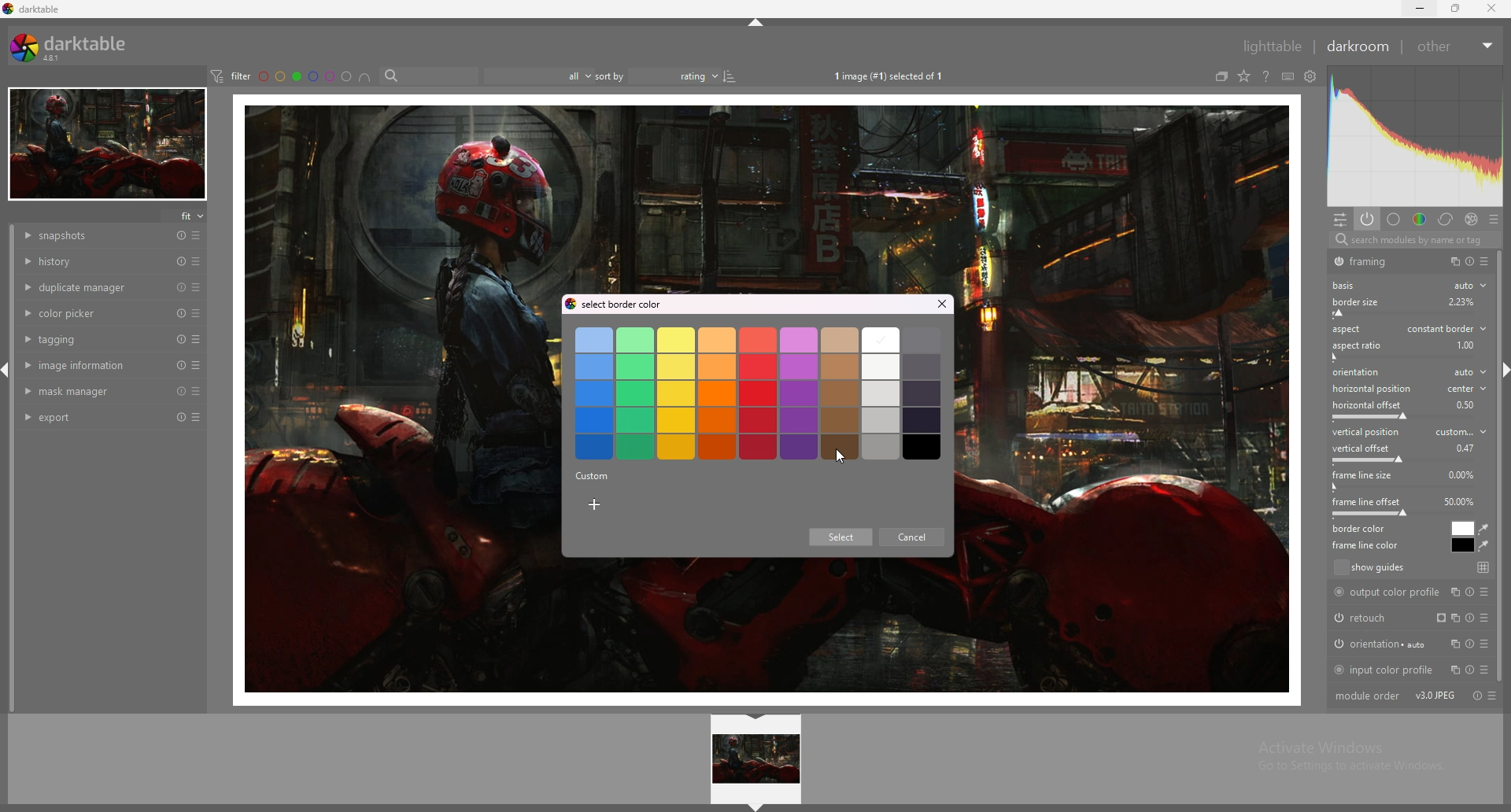 Image resolution: width=1511 pixels, height=812 pixels. Describe the element at coordinates (93, 418) in the screenshot. I see `export` at that location.